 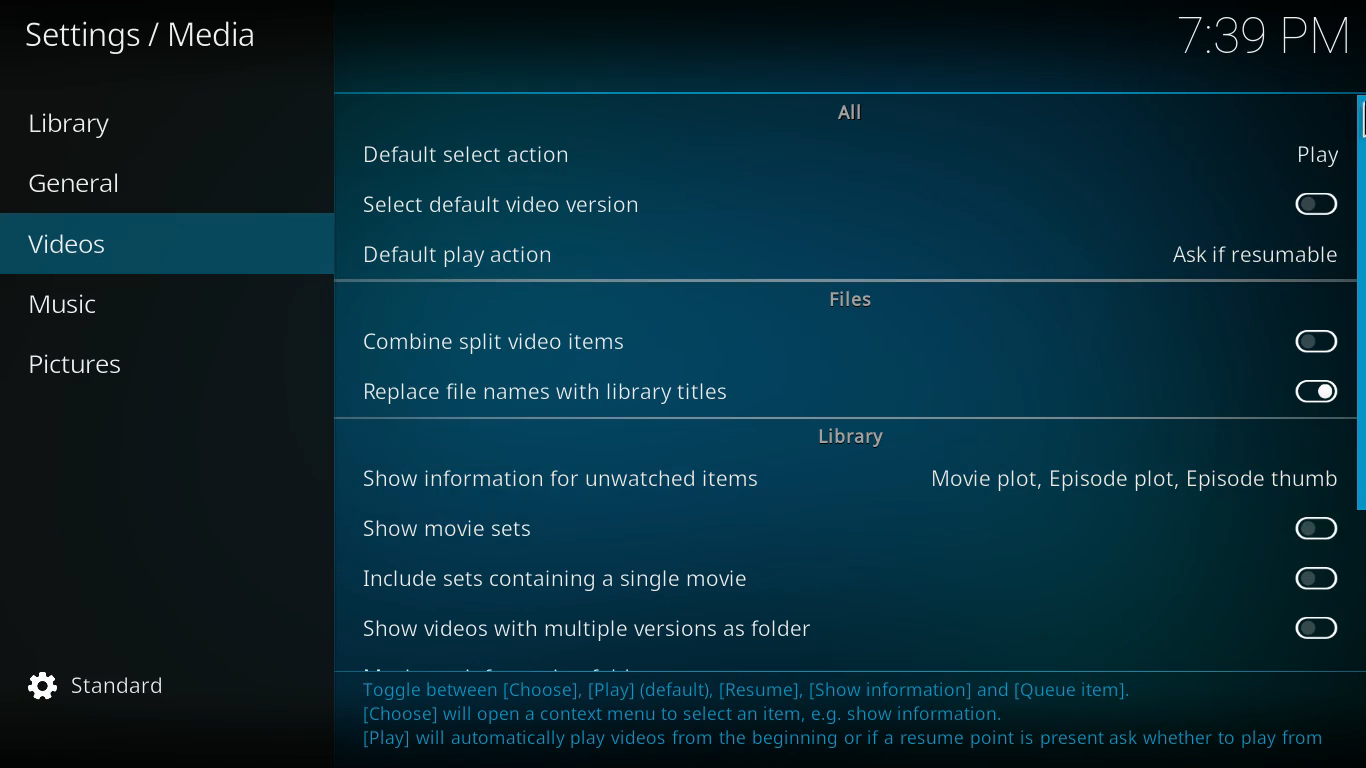 What do you see at coordinates (459, 528) in the screenshot?
I see `show movie sets` at bounding box center [459, 528].